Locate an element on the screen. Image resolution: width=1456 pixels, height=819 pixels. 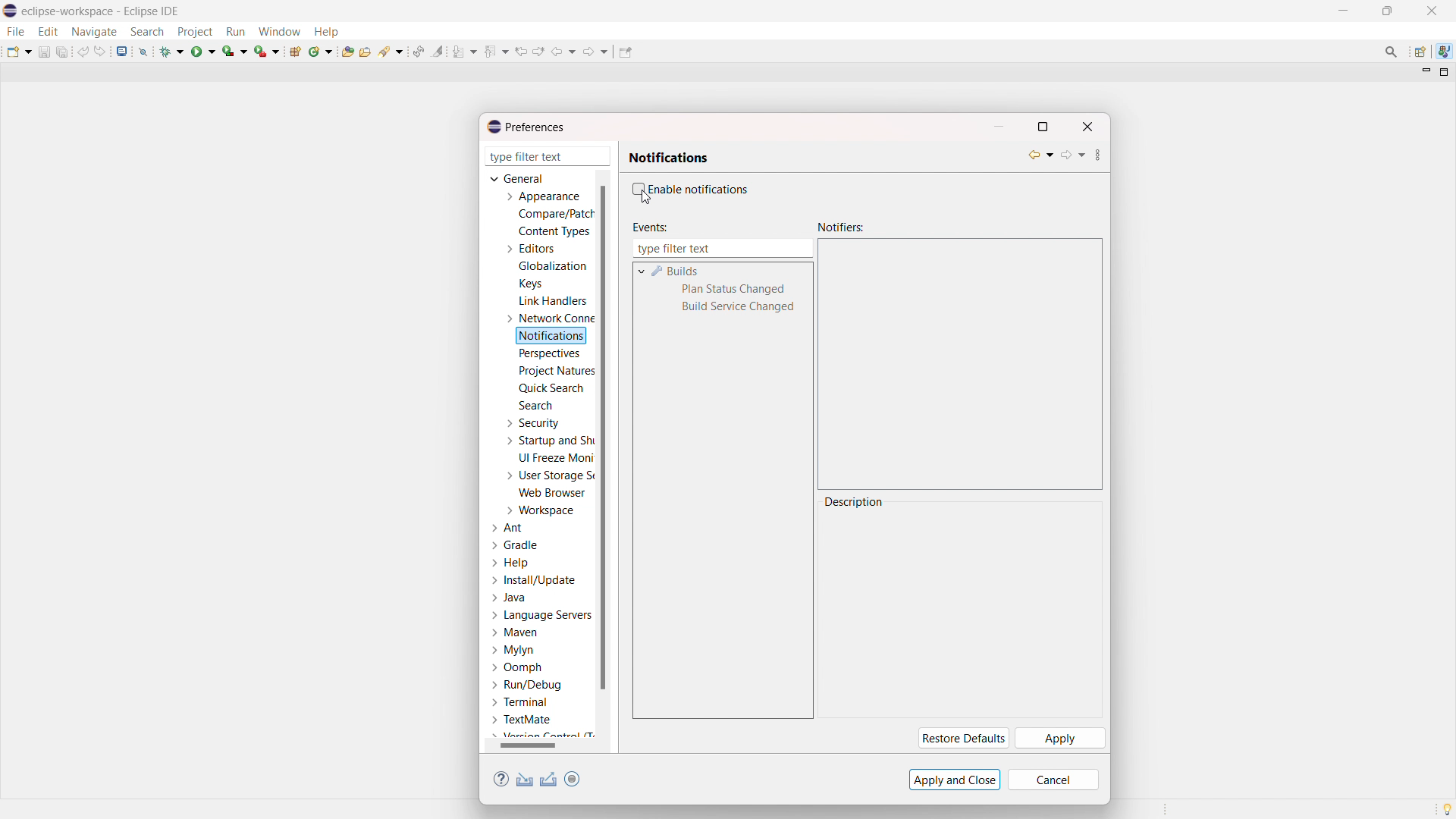
run is located at coordinates (235, 32).